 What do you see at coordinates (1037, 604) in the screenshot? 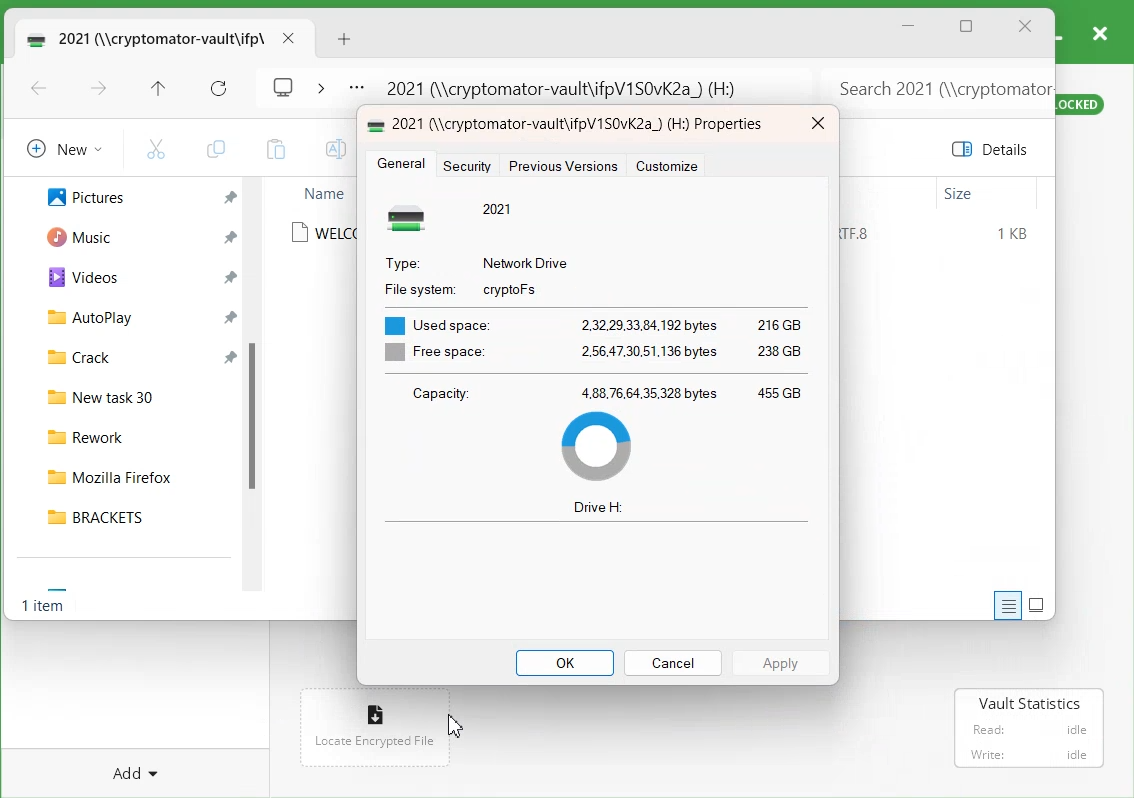
I see `full view` at bounding box center [1037, 604].